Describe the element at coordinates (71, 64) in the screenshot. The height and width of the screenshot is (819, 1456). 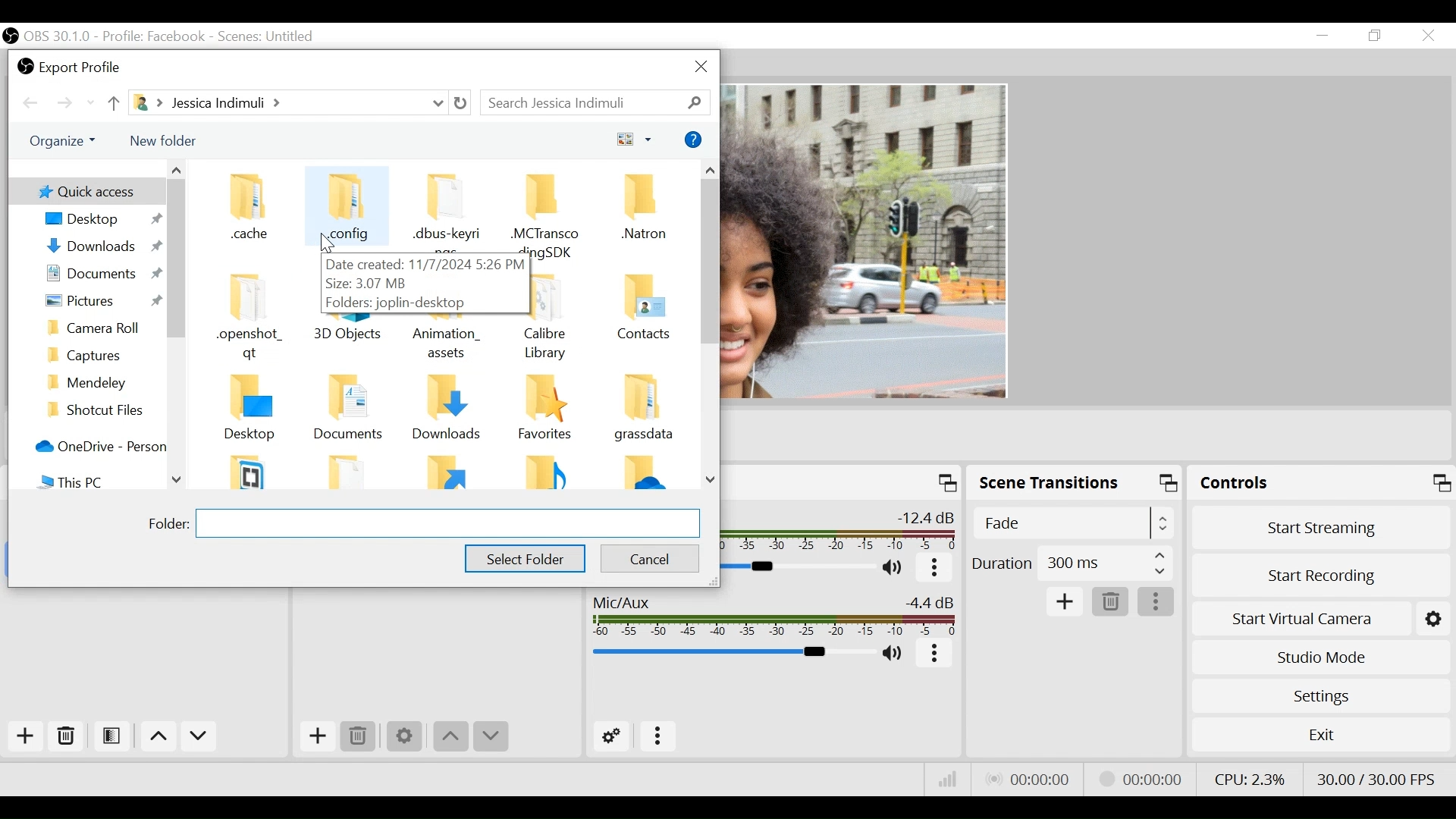
I see `Export File` at that location.